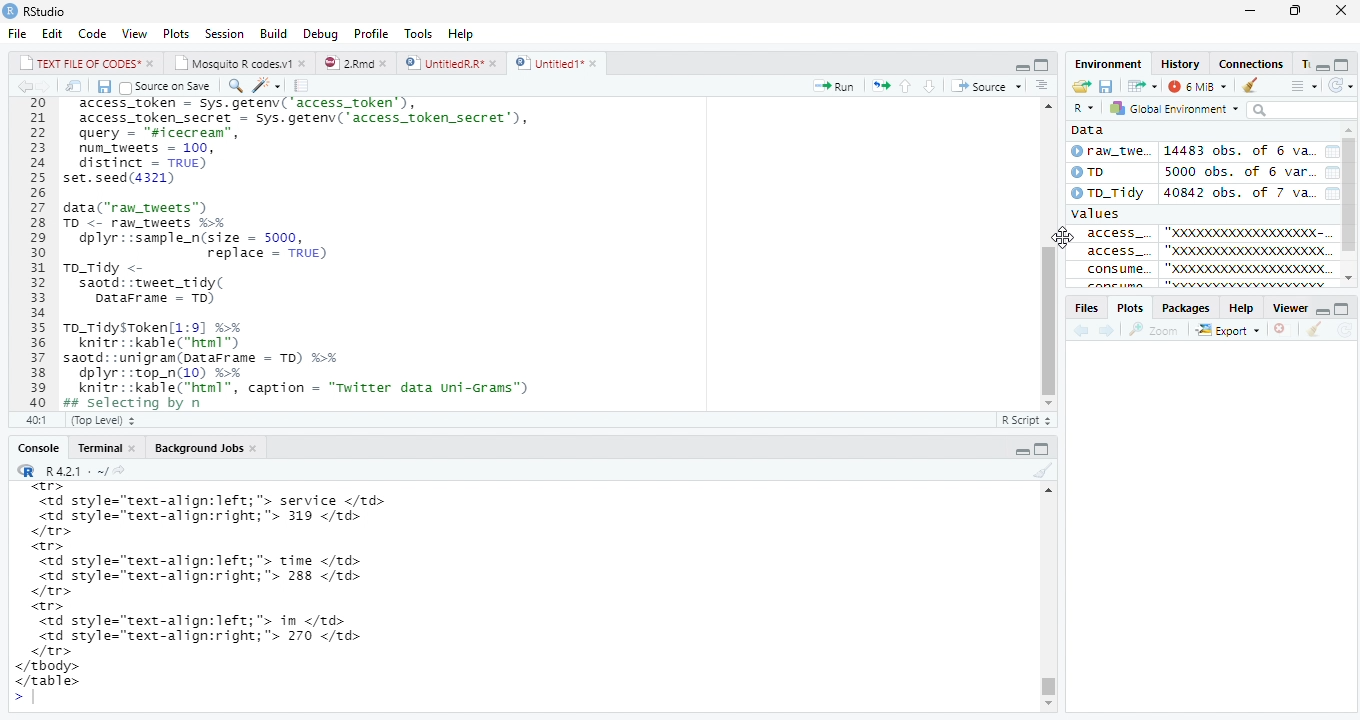 The height and width of the screenshot is (720, 1360). What do you see at coordinates (1161, 330) in the screenshot?
I see `Zoom ` at bounding box center [1161, 330].